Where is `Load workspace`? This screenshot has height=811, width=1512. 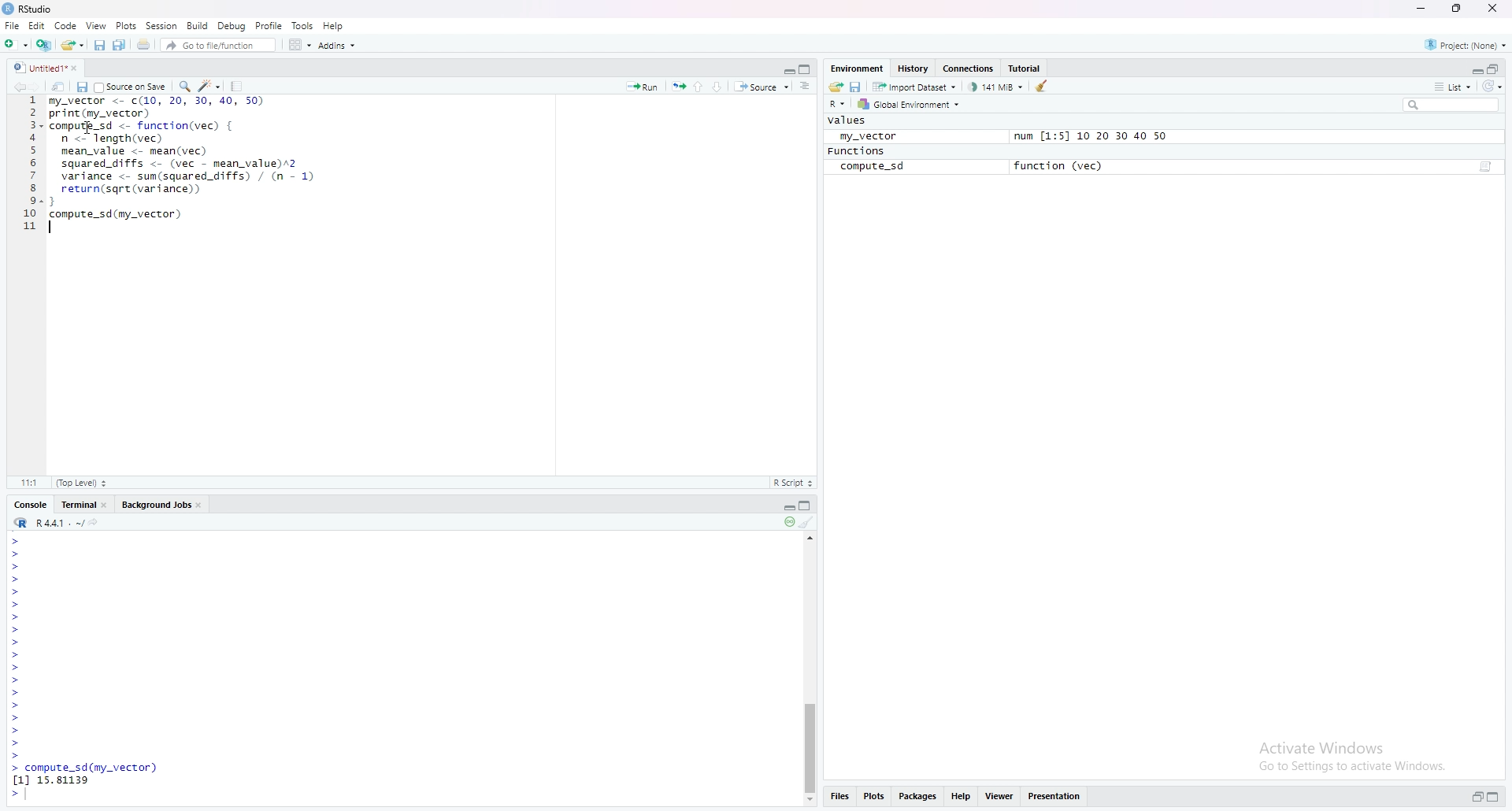
Load workspace is located at coordinates (836, 86).